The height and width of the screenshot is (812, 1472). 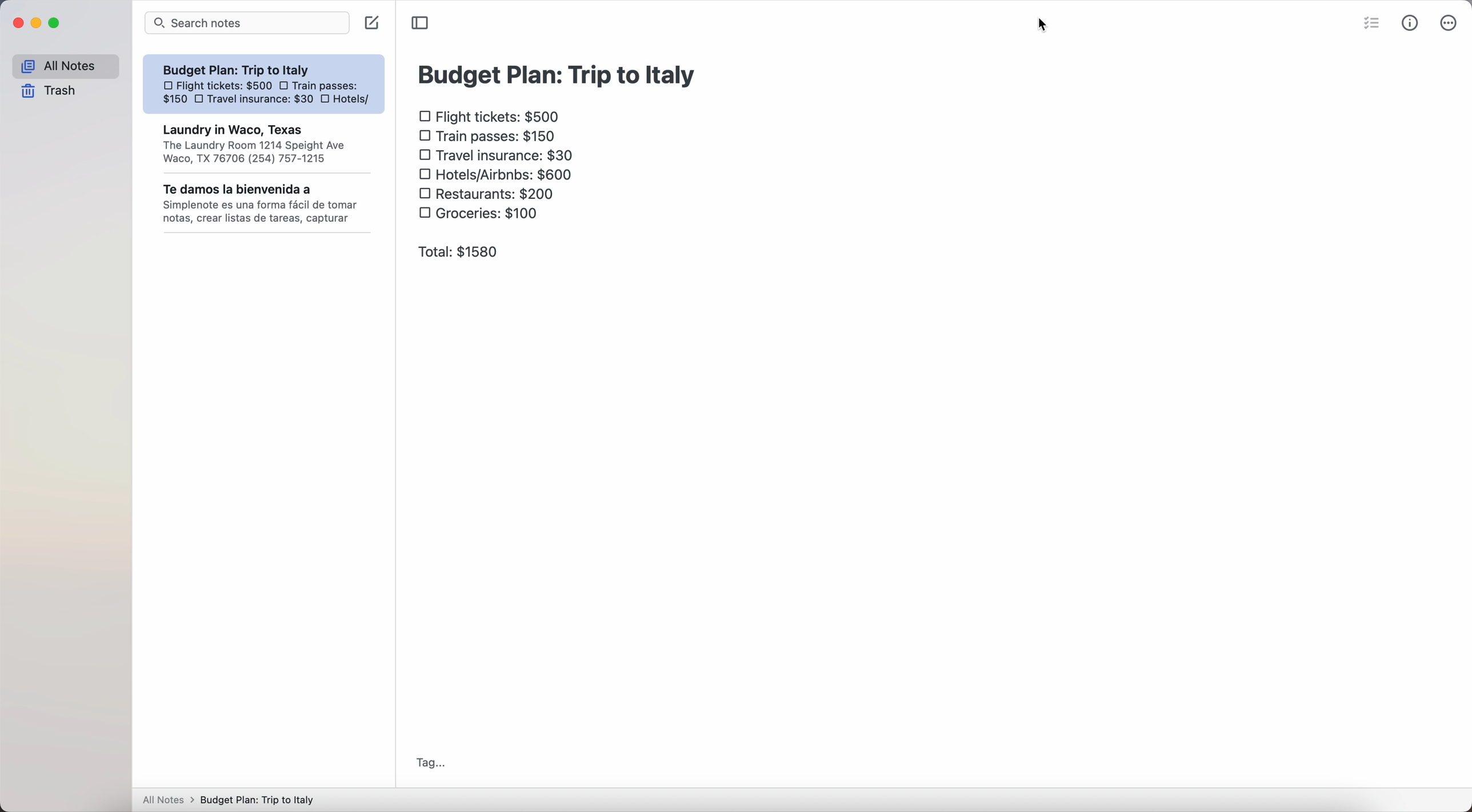 I want to click on title: Budget Plan: Trip to Italy, so click(x=554, y=76).